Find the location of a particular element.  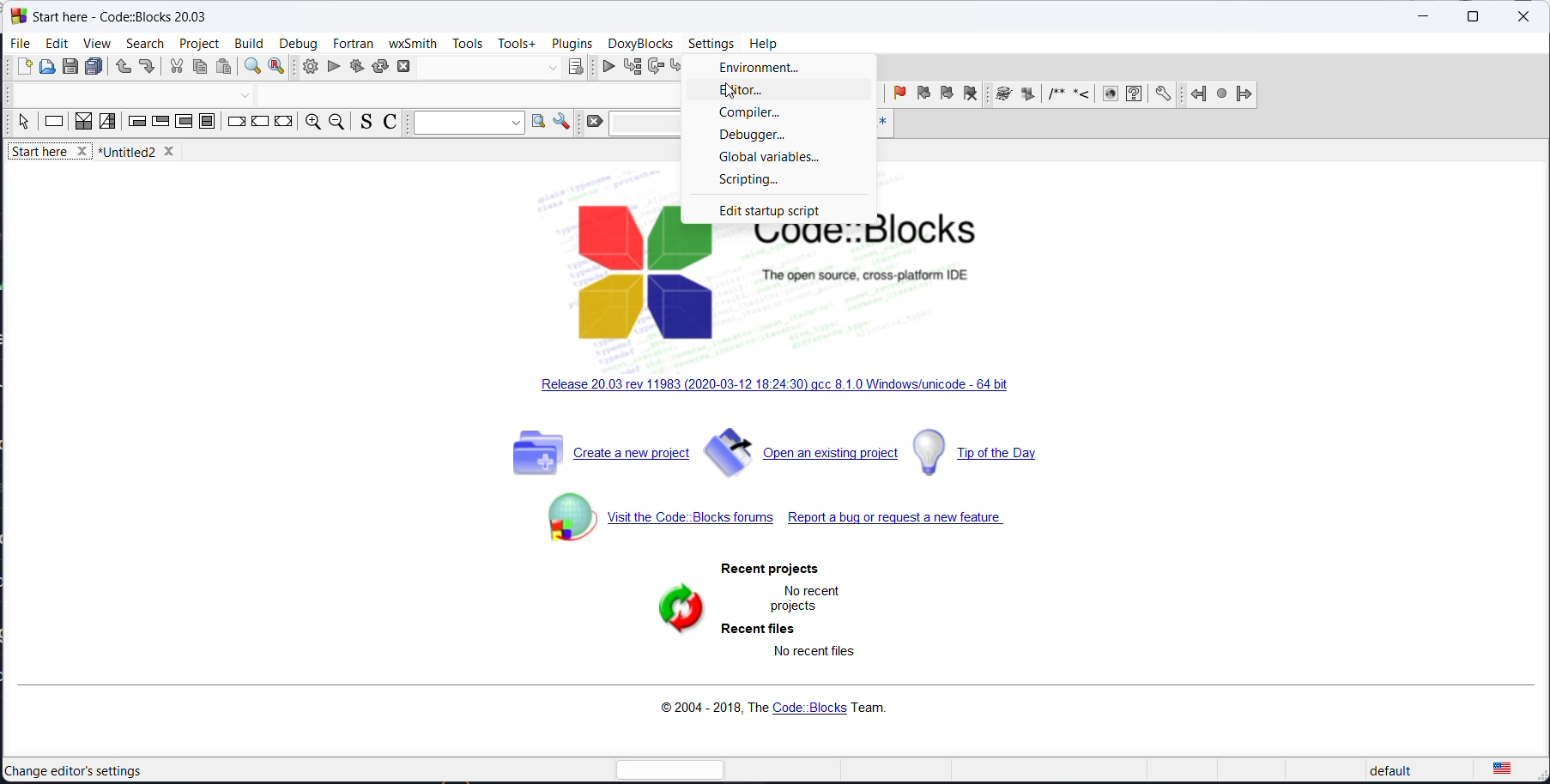

copyright is located at coordinates (769, 709).